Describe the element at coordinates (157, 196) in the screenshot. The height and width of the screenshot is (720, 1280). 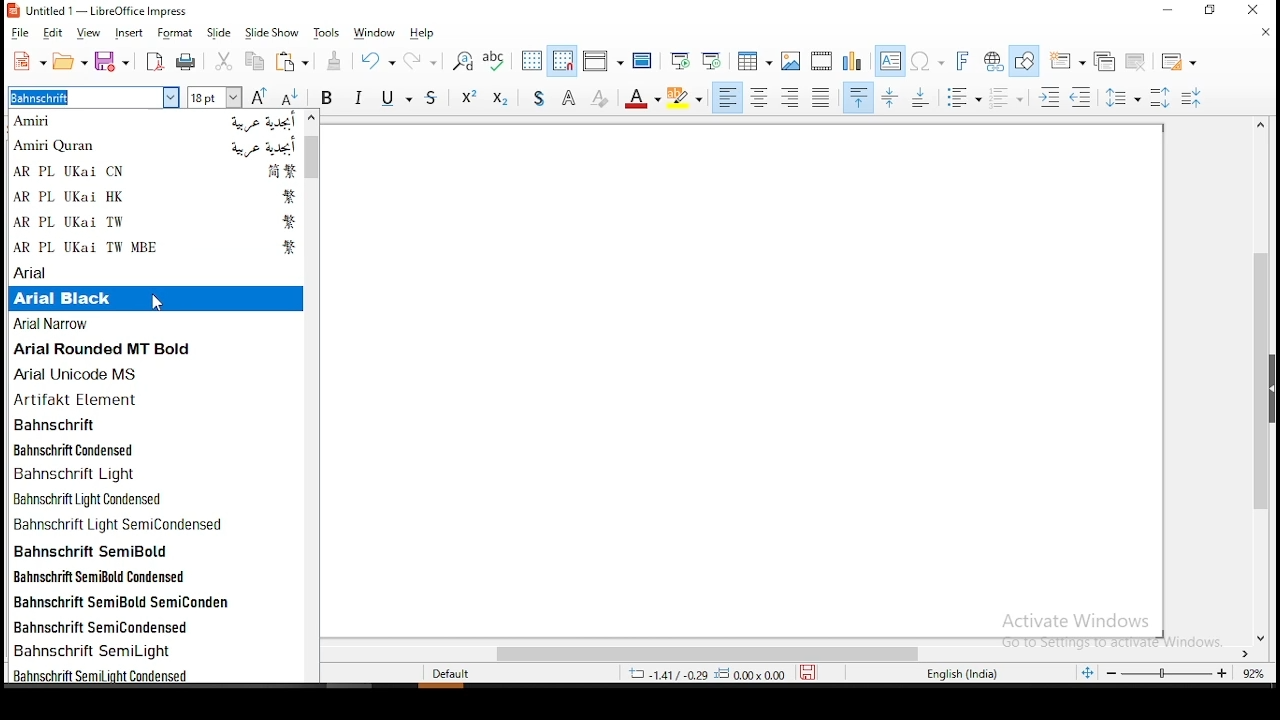
I see `AR PL UKai HK` at that location.